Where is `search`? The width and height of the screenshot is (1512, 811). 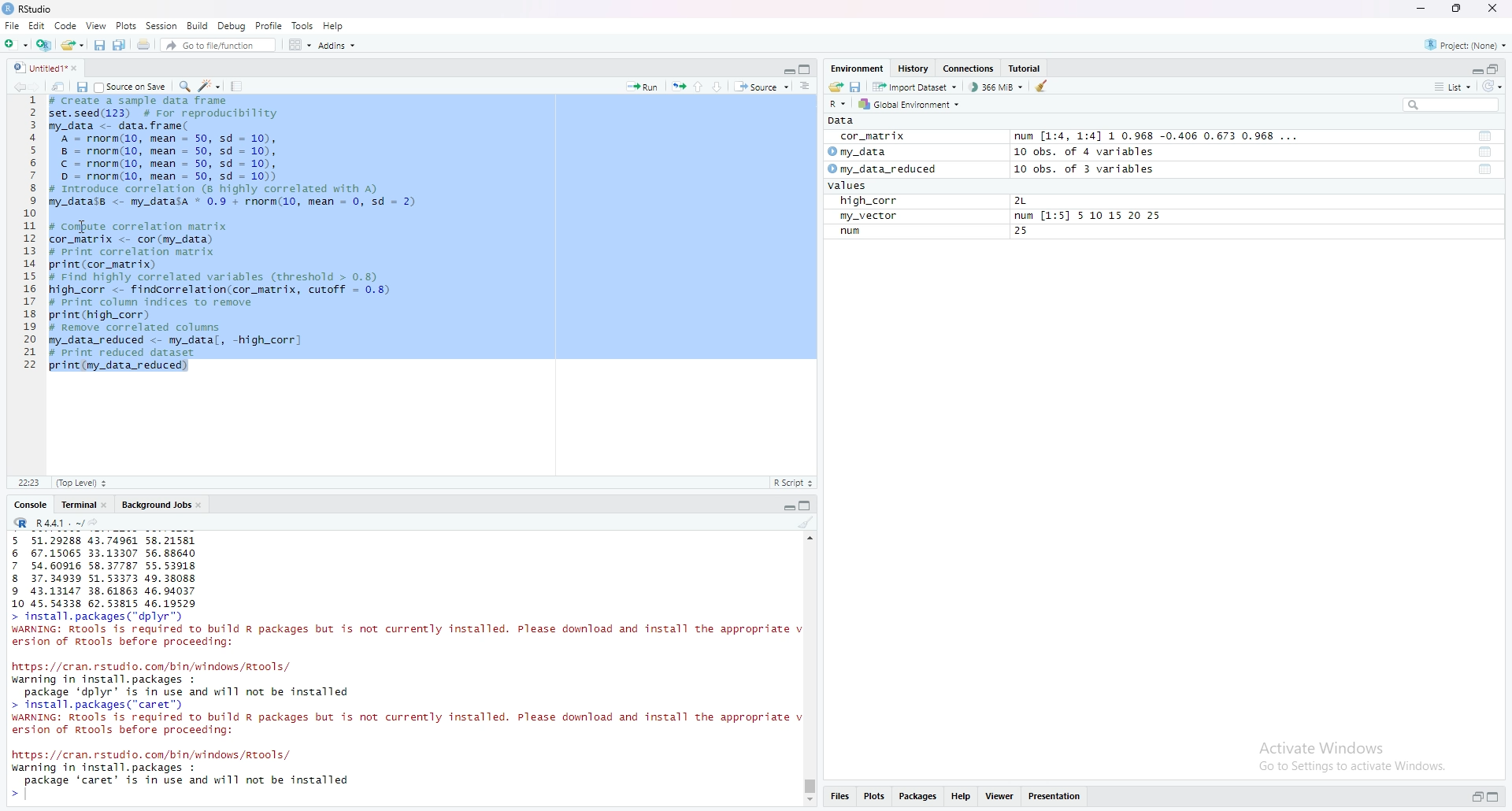
search is located at coordinates (1450, 106).